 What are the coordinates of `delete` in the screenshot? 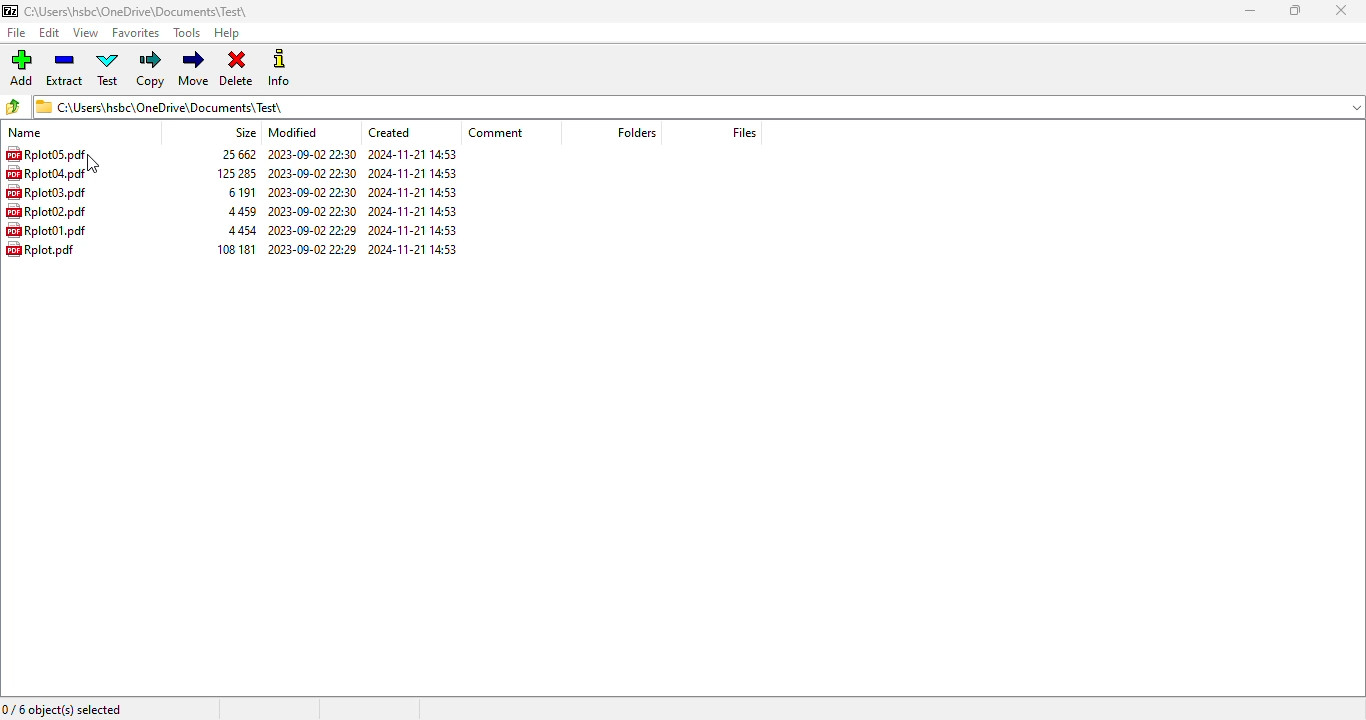 It's located at (238, 69).